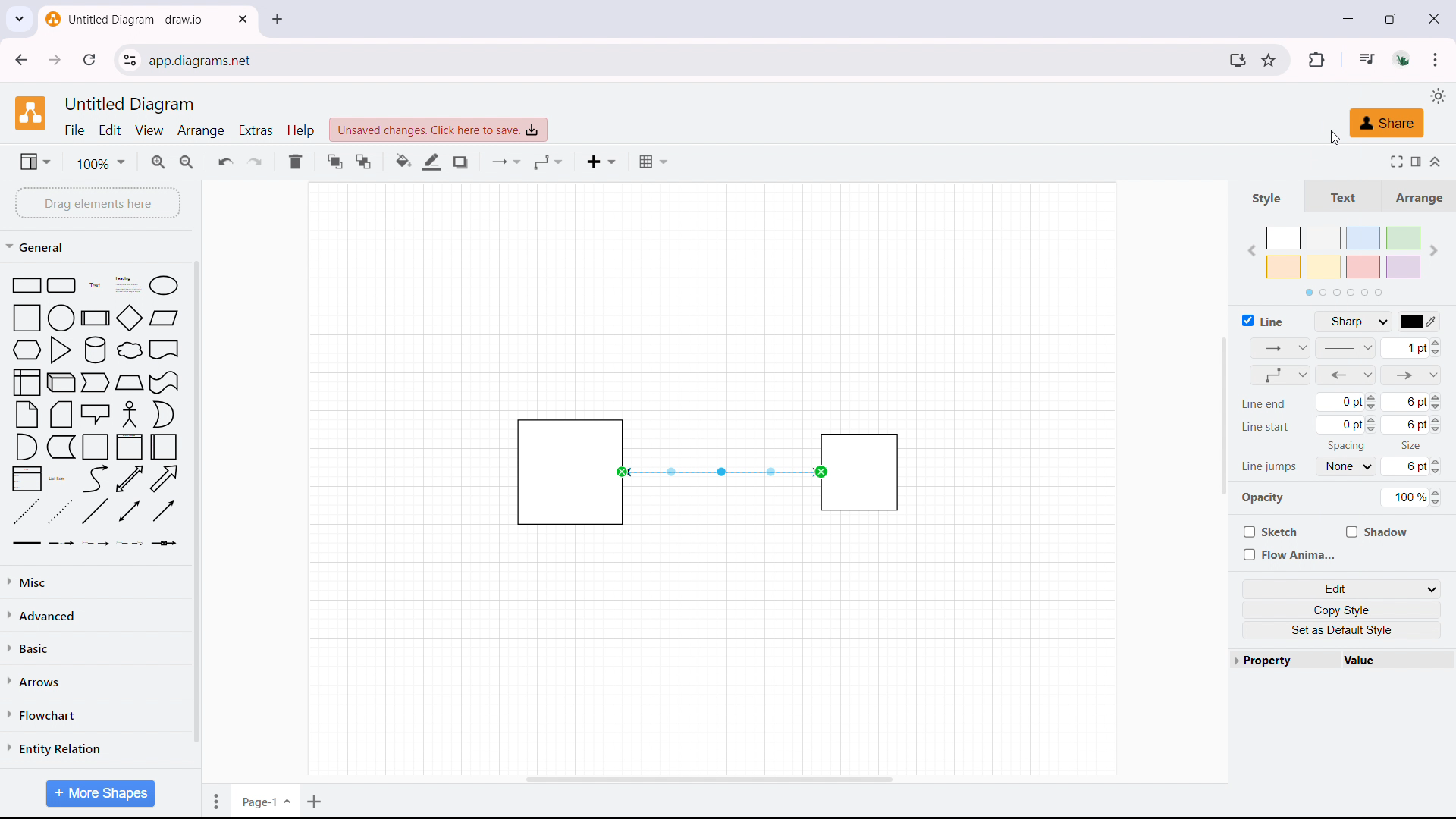 This screenshot has width=1456, height=819. What do you see at coordinates (132, 105) in the screenshot?
I see `document title` at bounding box center [132, 105].